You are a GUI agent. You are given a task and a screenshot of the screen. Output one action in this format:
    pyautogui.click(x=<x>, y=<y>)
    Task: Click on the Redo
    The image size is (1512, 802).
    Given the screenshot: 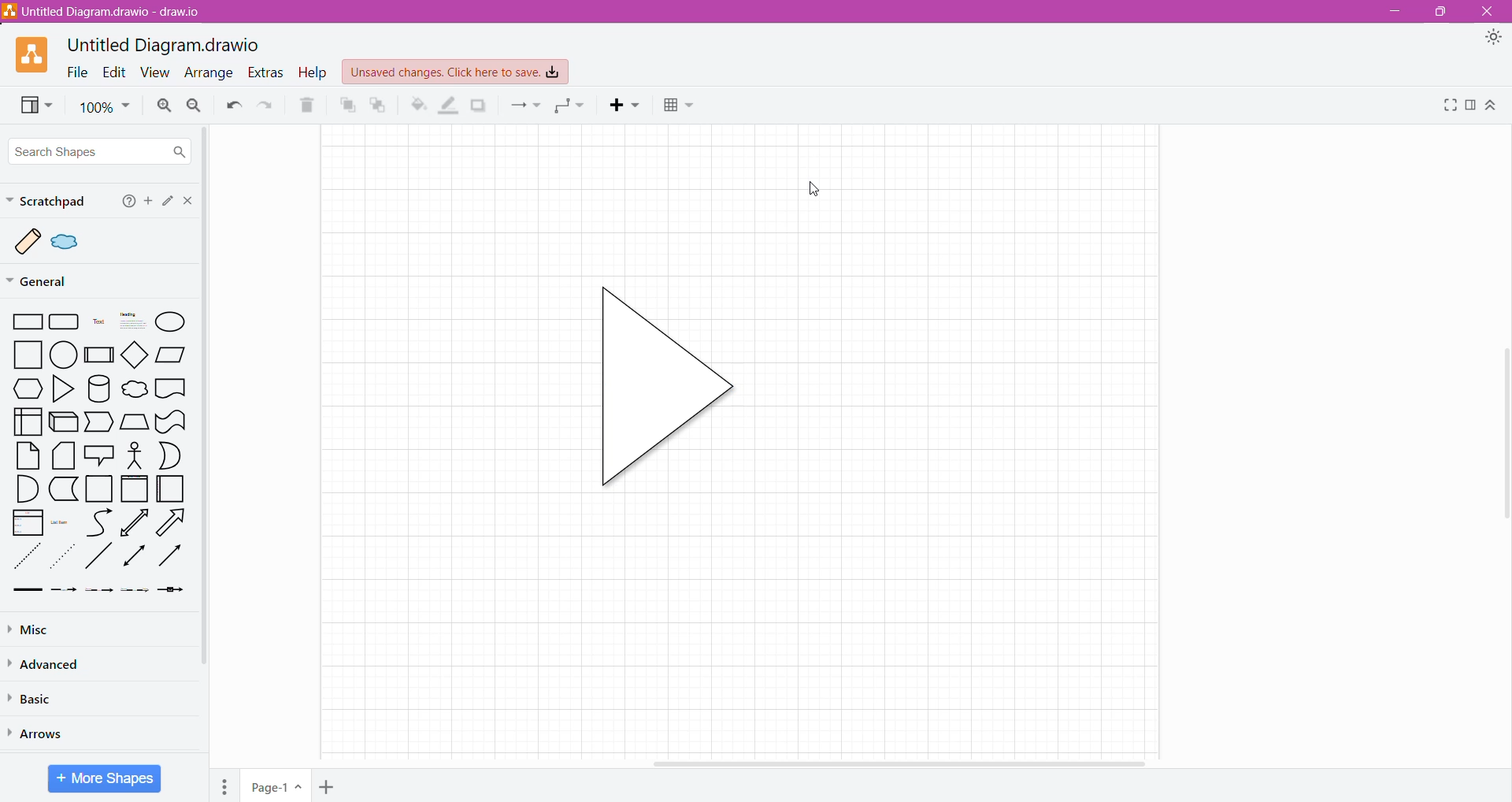 What is the action you would take?
    pyautogui.click(x=266, y=106)
    